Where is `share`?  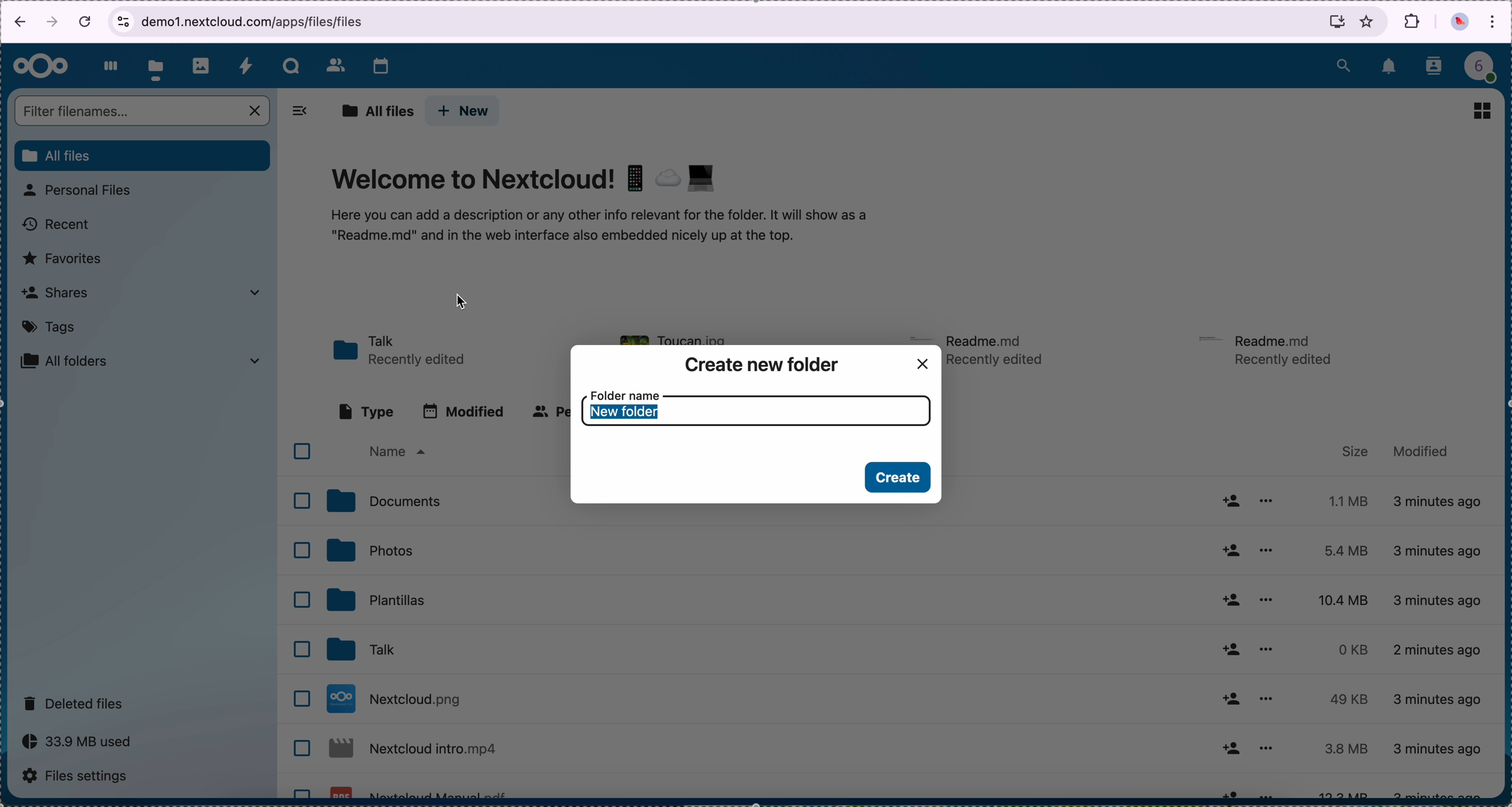
share is located at coordinates (1229, 549).